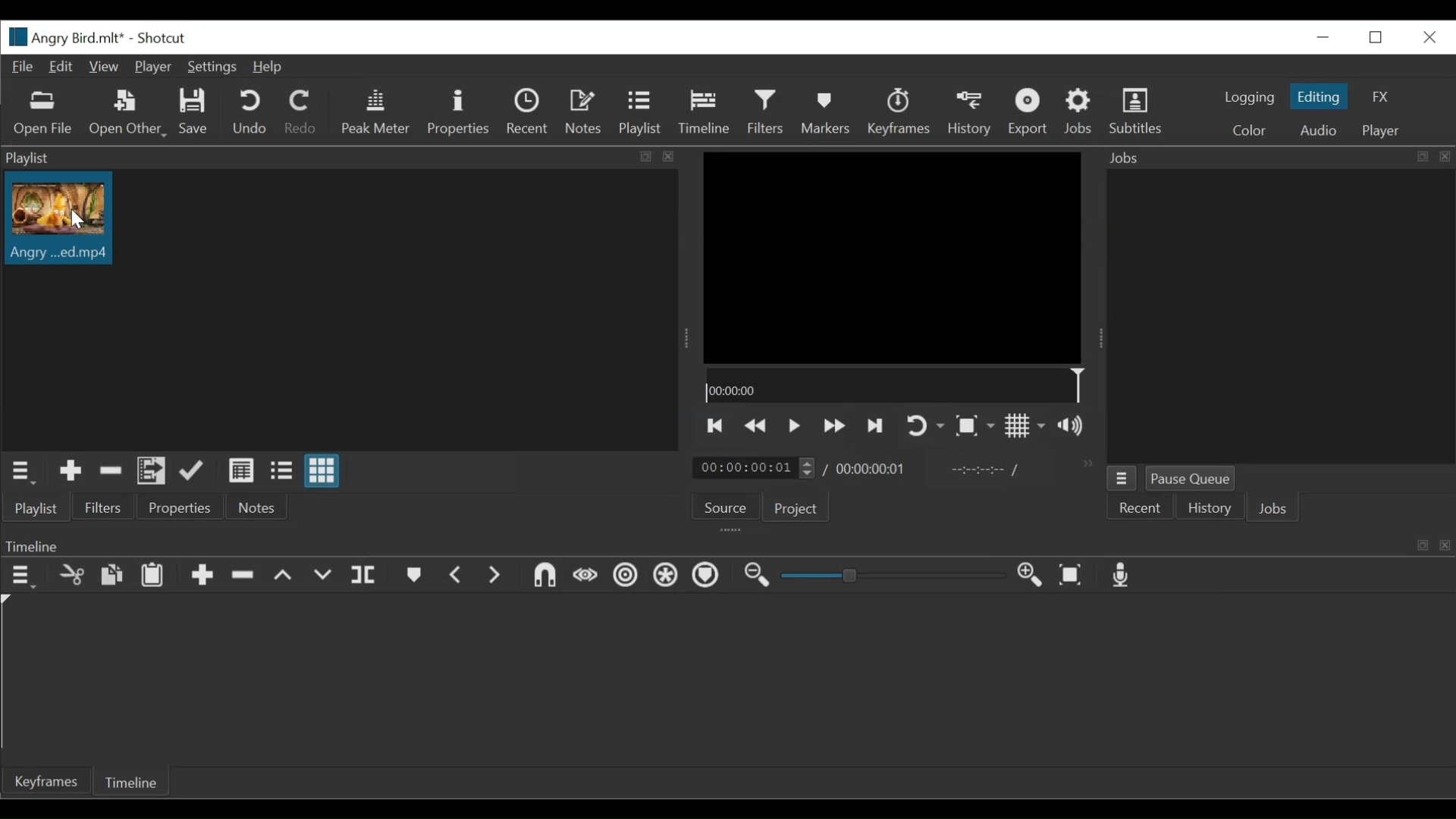 The image size is (1456, 819). What do you see at coordinates (626, 576) in the screenshot?
I see `Ripple` at bounding box center [626, 576].